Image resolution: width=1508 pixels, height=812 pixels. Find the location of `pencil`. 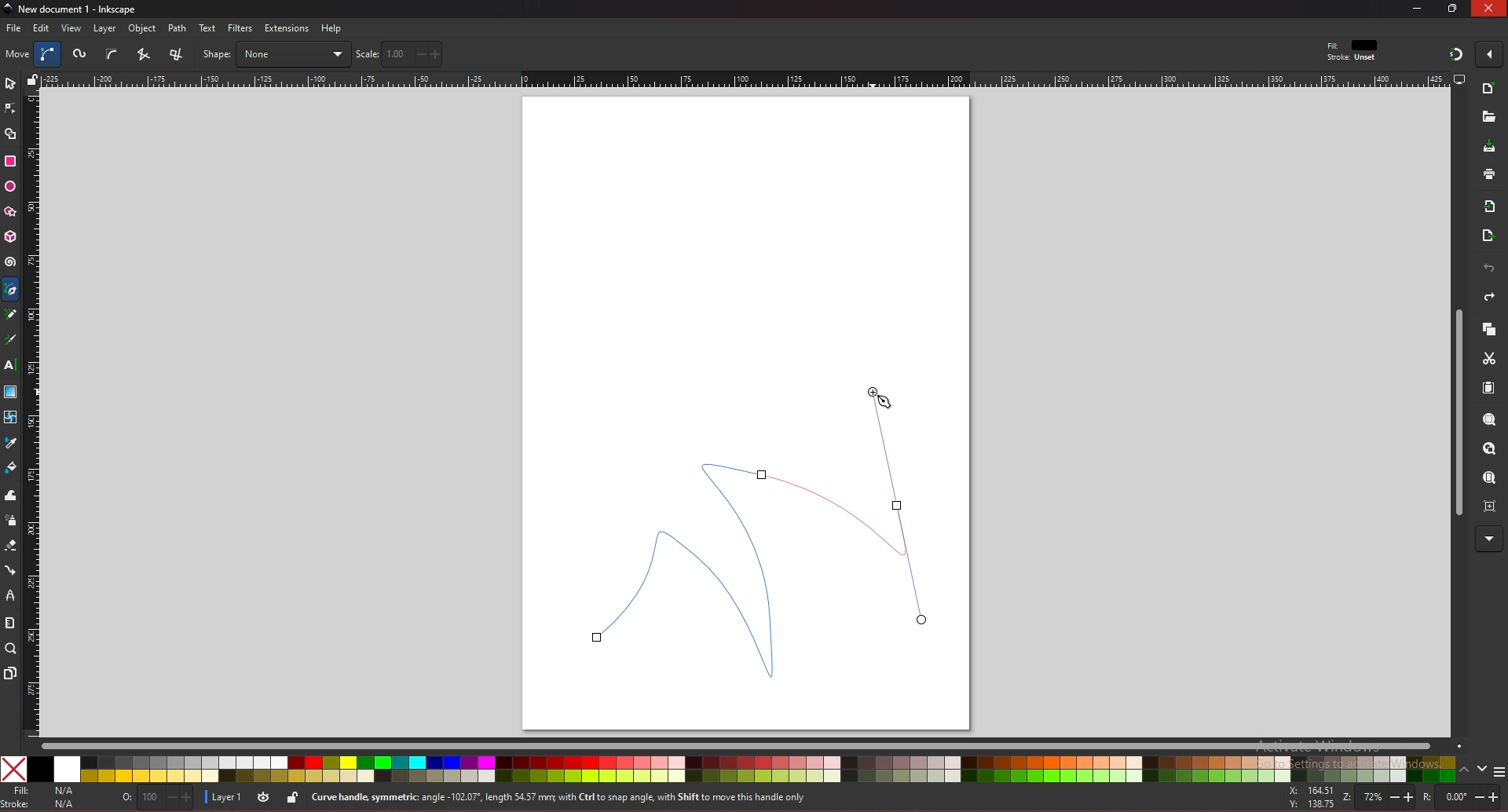

pencil is located at coordinates (15, 315).